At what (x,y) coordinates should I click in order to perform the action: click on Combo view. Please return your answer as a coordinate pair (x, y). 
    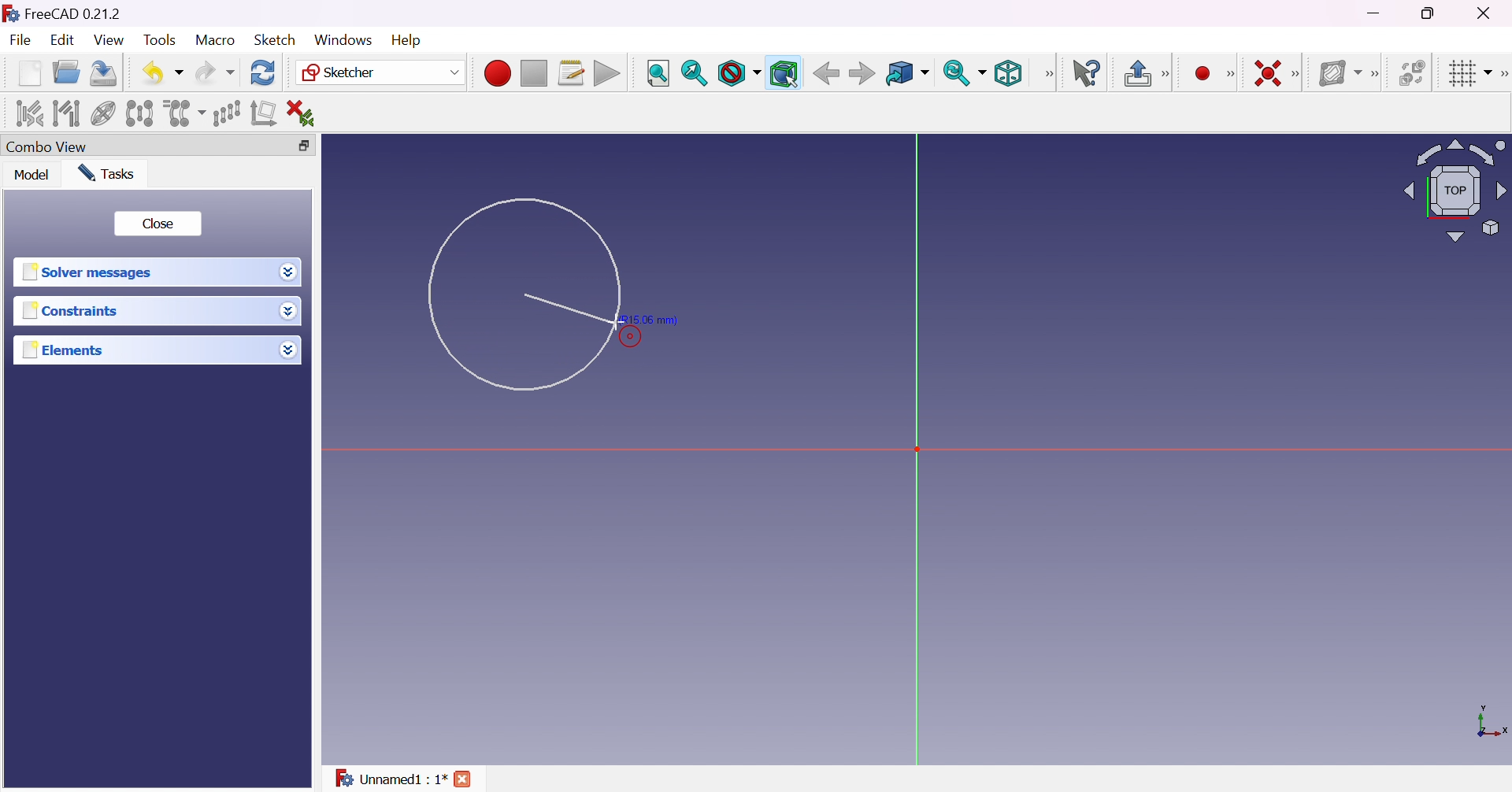
    Looking at the image, I should click on (46, 148).